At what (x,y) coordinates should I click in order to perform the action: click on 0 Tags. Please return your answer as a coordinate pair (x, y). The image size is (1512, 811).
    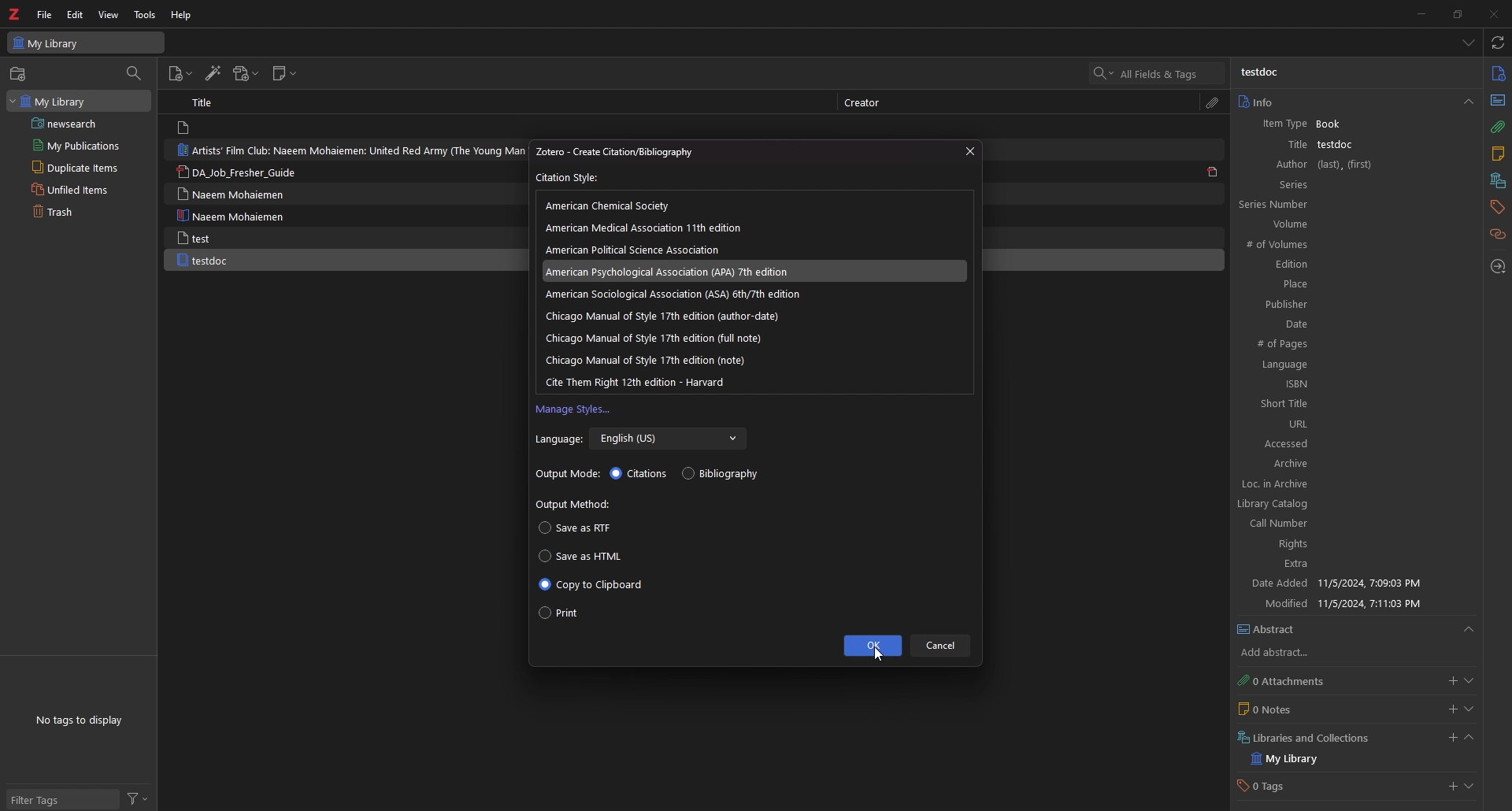
    Looking at the image, I should click on (1278, 787).